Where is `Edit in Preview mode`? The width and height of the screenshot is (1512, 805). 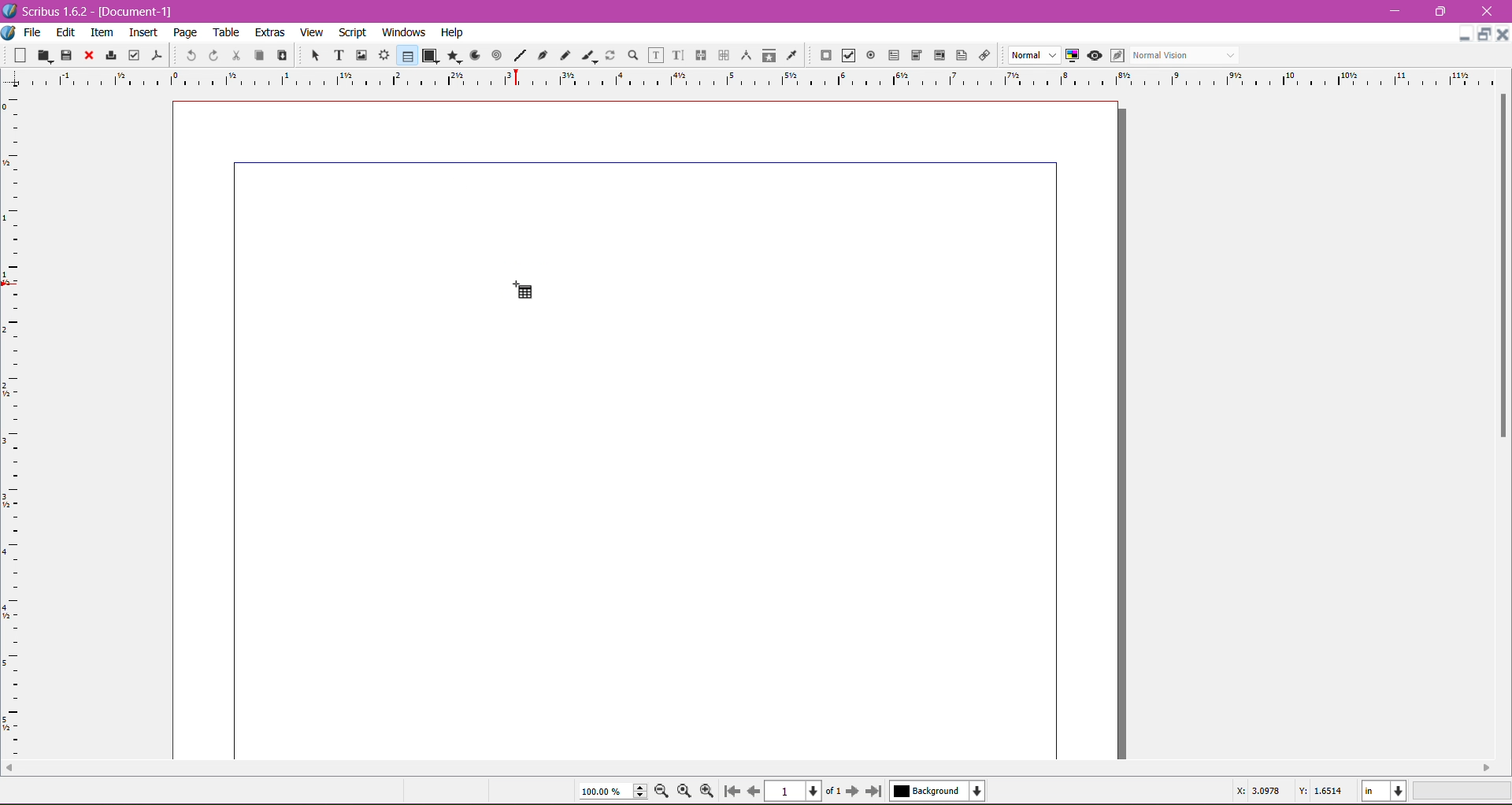 Edit in Preview mode is located at coordinates (1116, 55).